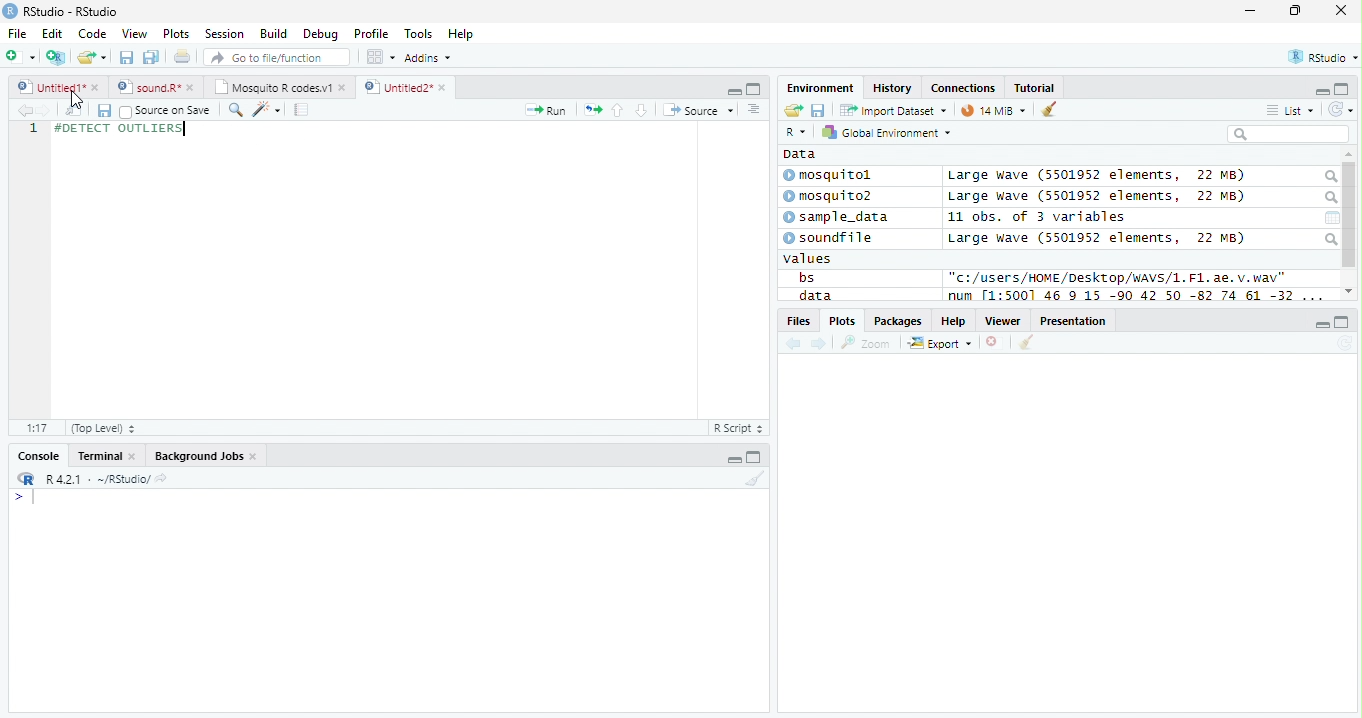  Describe the element at coordinates (37, 428) in the screenshot. I see `1:17` at that location.